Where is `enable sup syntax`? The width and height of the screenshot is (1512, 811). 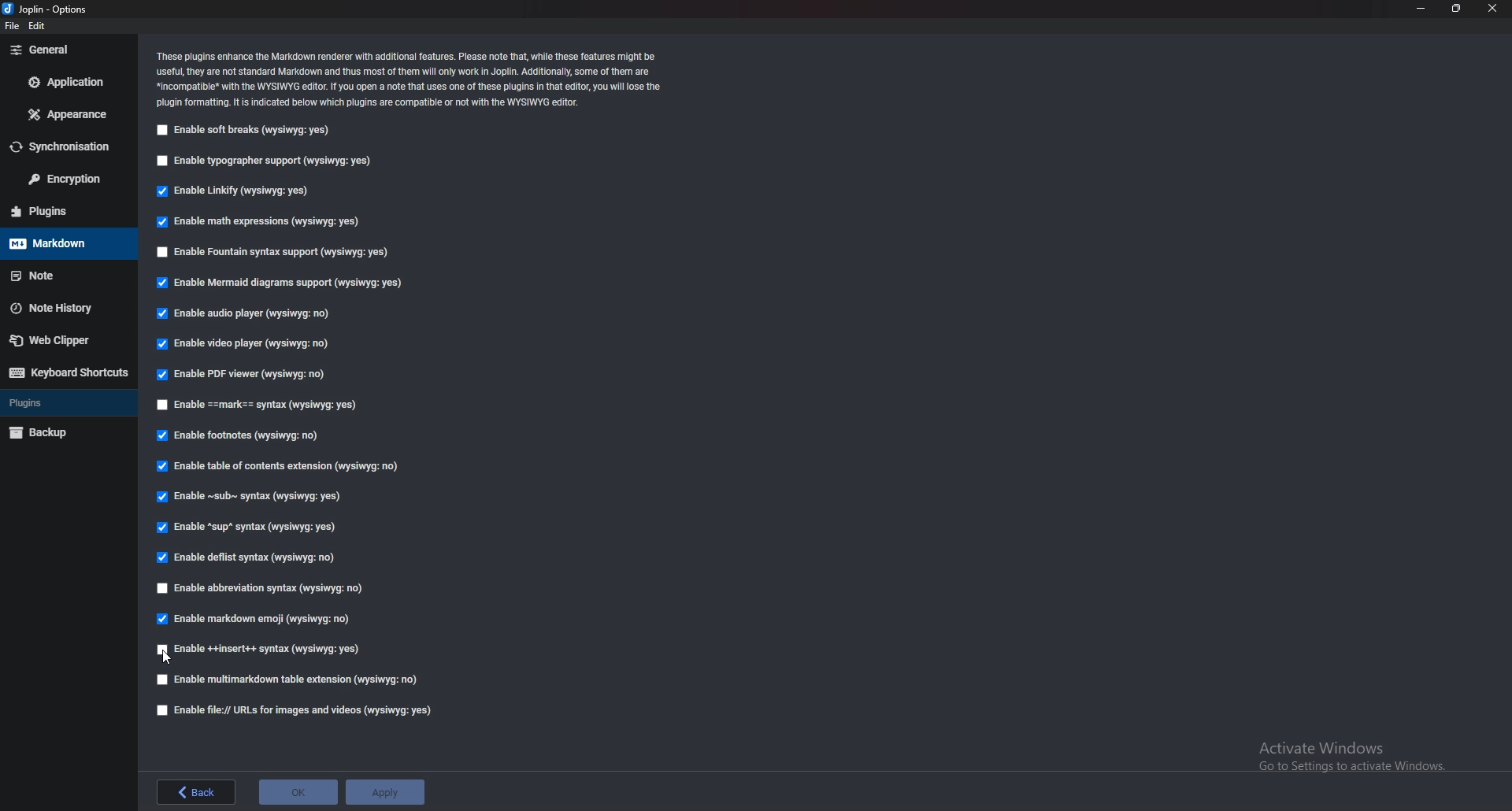 enable sup syntax is located at coordinates (246, 529).